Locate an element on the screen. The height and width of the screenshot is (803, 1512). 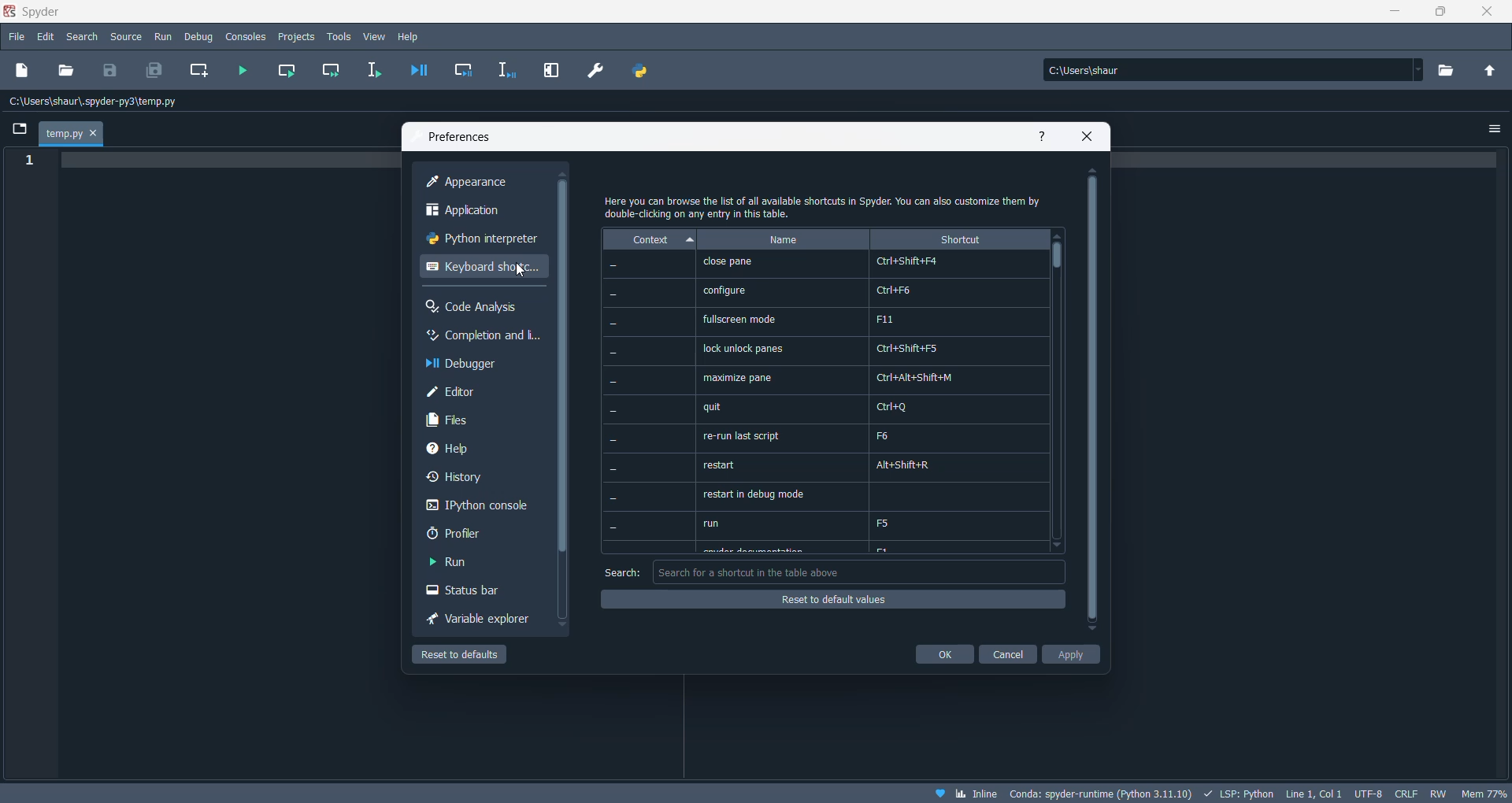
cancel is located at coordinates (1009, 653).